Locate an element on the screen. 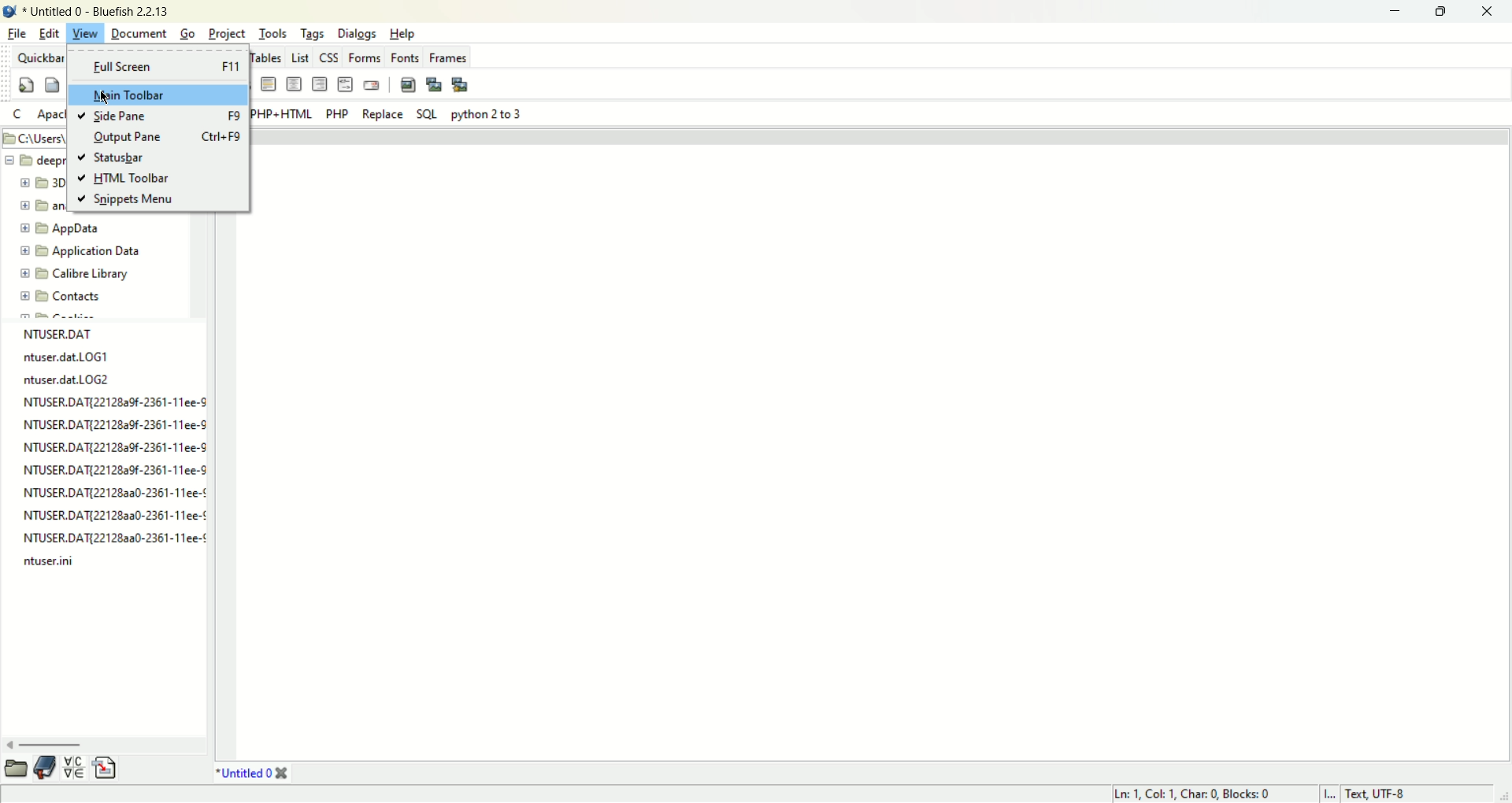 Image resolution: width=1512 pixels, height=803 pixels. browse file is located at coordinates (17, 768).